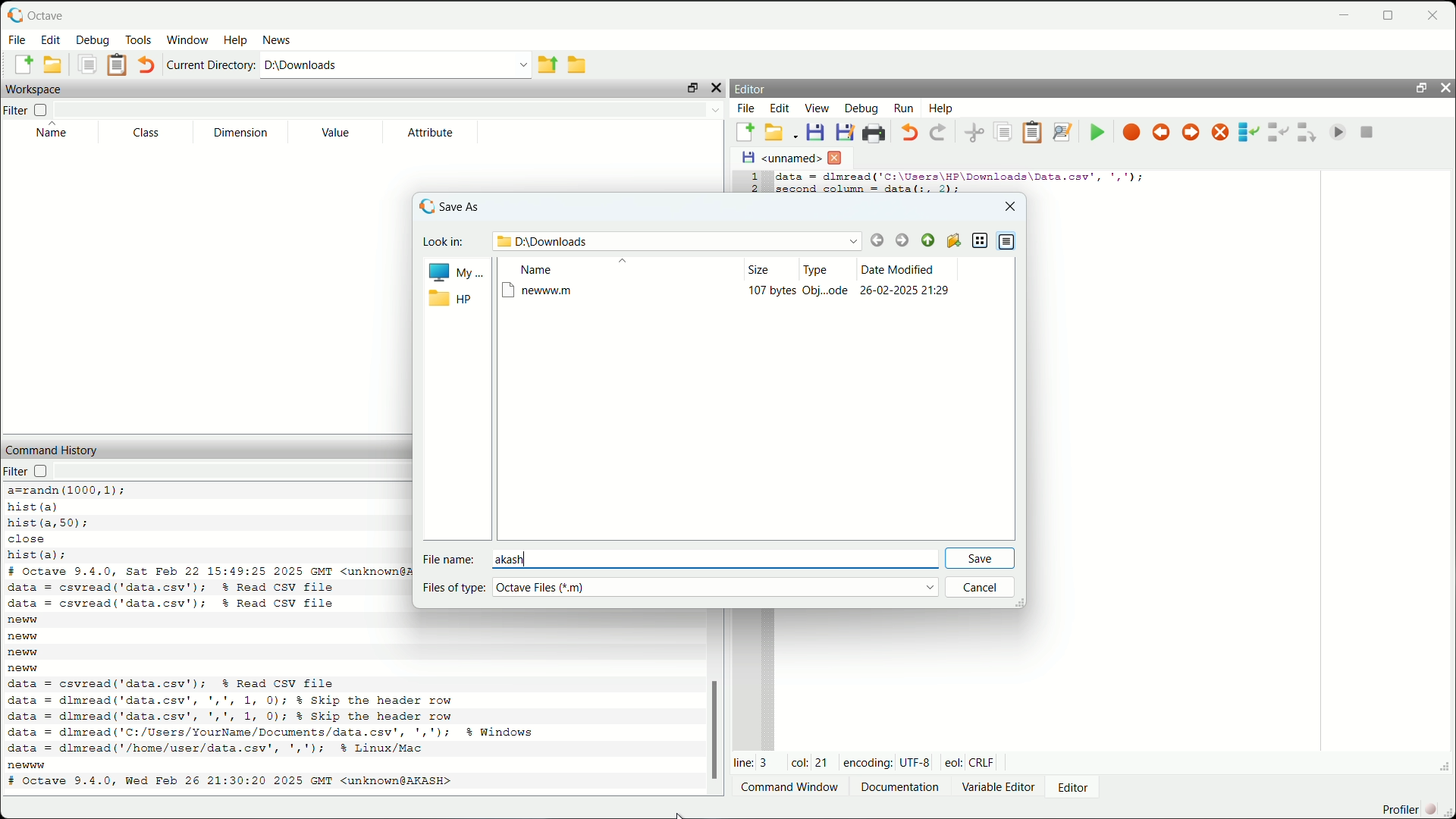 The image size is (1456, 819). What do you see at coordinates (1083, 787) in the screenshot?
I see `editor` at bounding box center [1083, 787].